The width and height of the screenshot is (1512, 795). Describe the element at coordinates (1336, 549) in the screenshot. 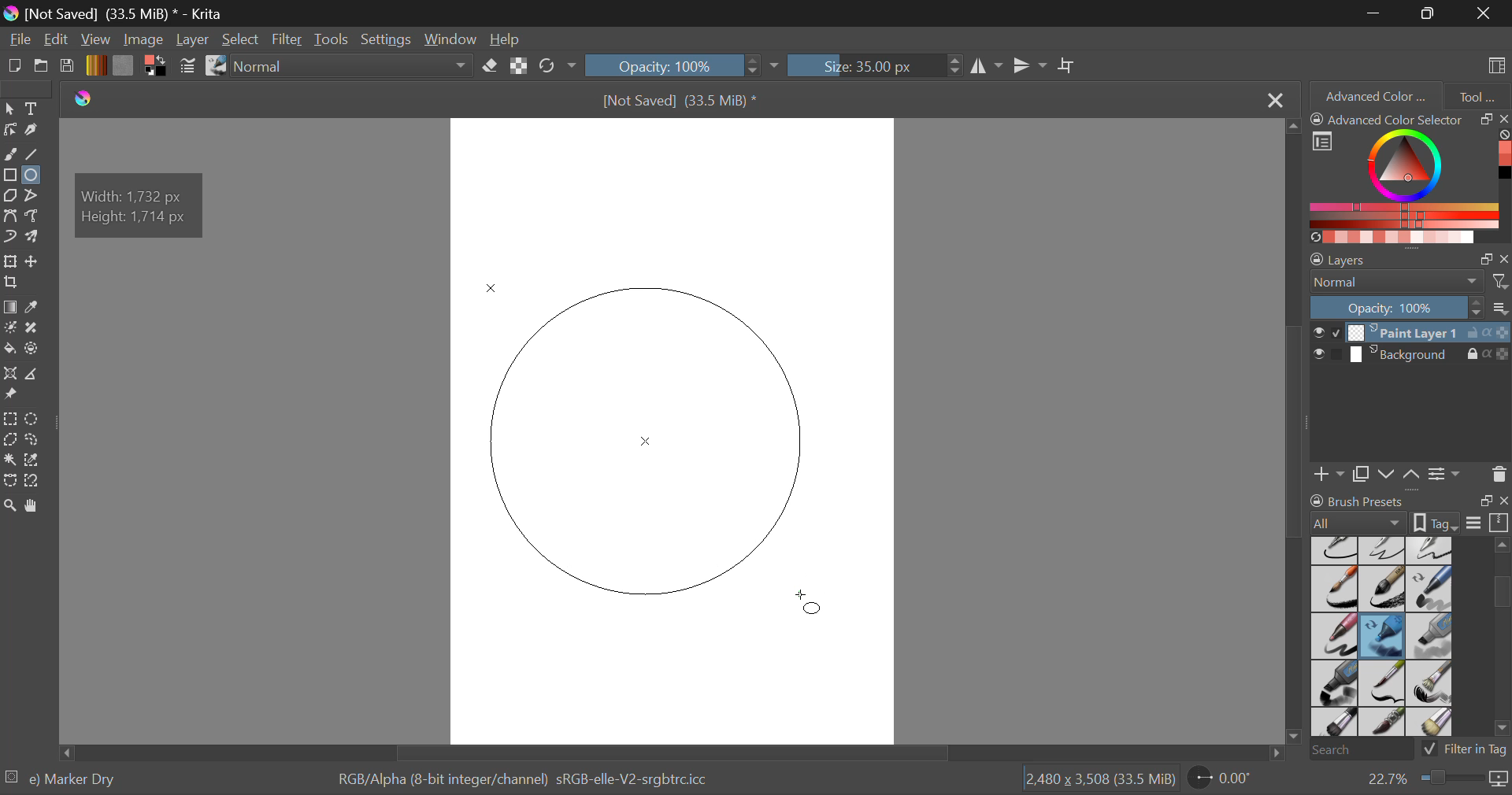

I see `Ink-2 Fineliner` at that location.